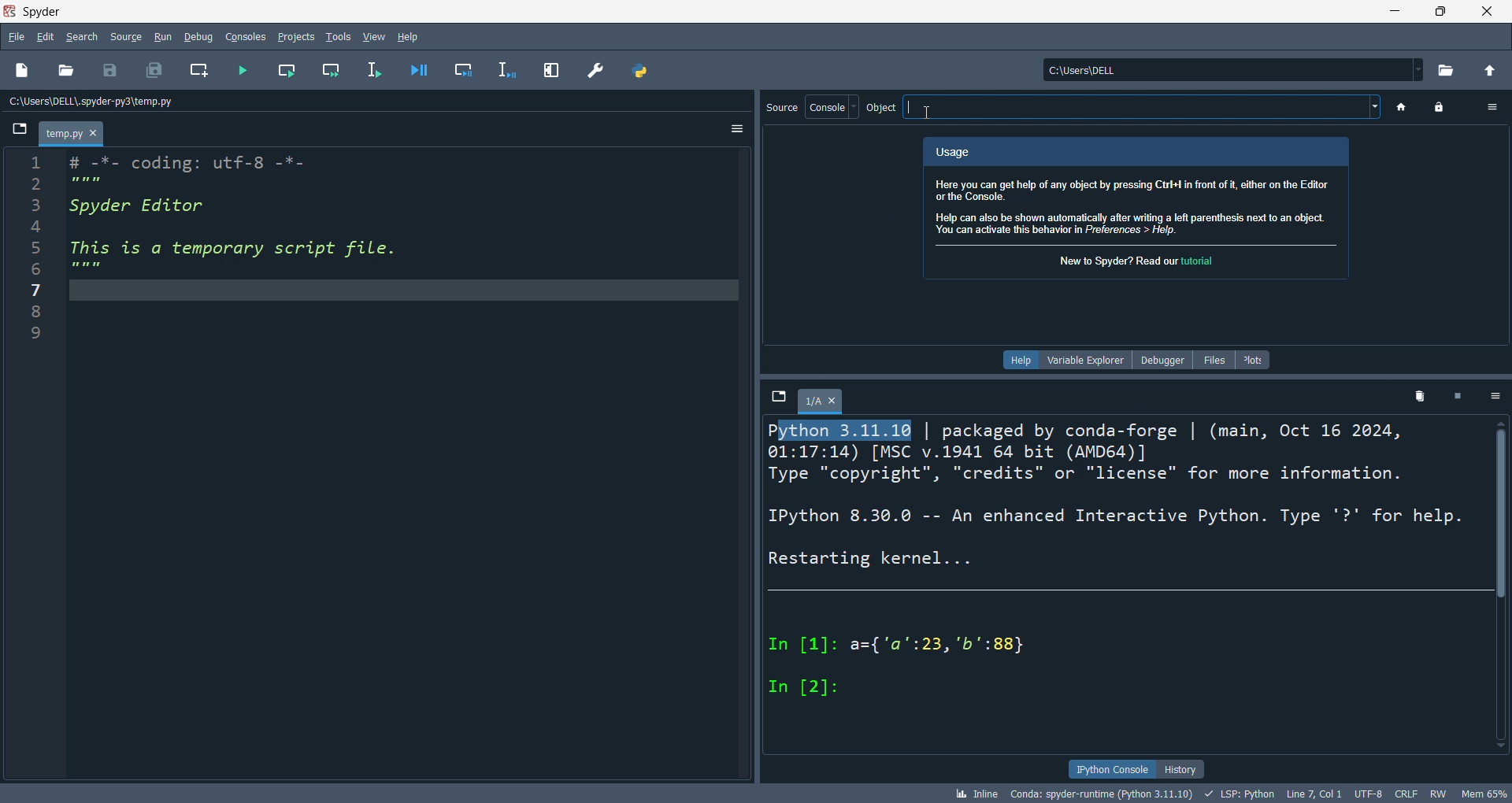  Describe the element at coordinates (782, 107) in the screenshot. I see `source` at that location.